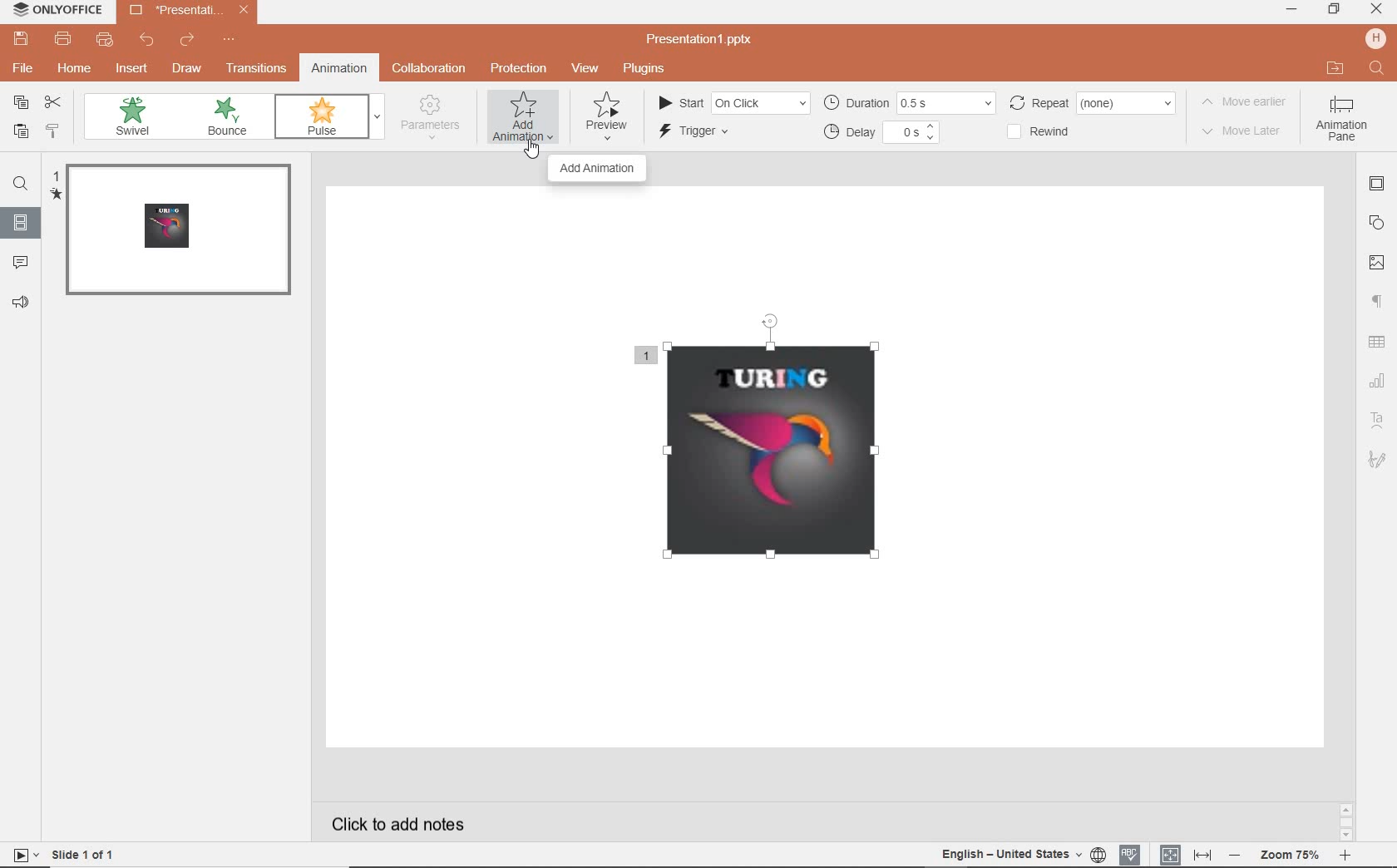 This screenshot has height=868, width=1397. Describe the element at coordinates (72, 67) in the screenshot. I see `home` at that location.